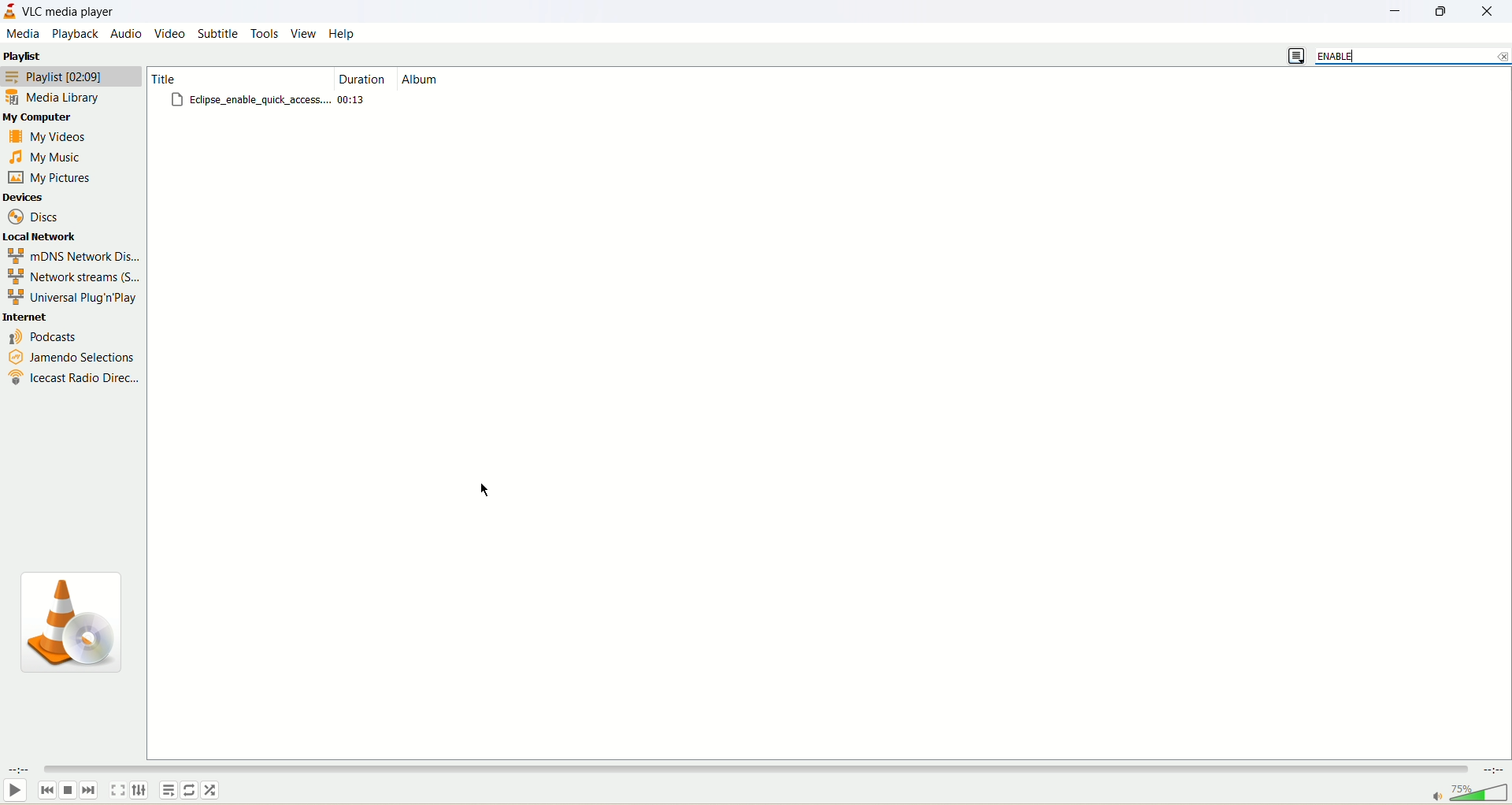 The height and width of the screenshot is (805, 1512). I want to click on previous, so click(47, 792).